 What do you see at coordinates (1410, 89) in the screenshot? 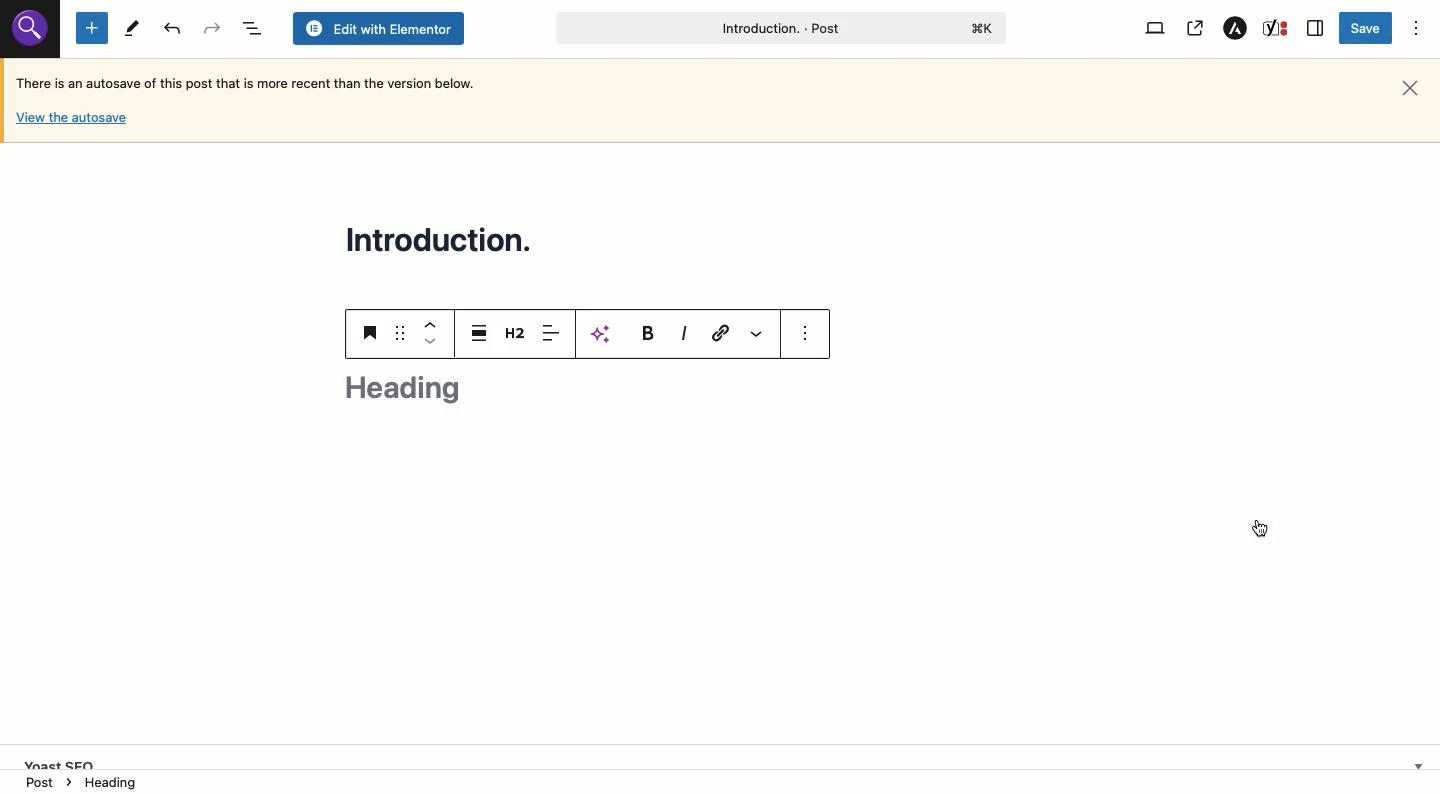
I see `Close` at bounding box center [1410, 89].